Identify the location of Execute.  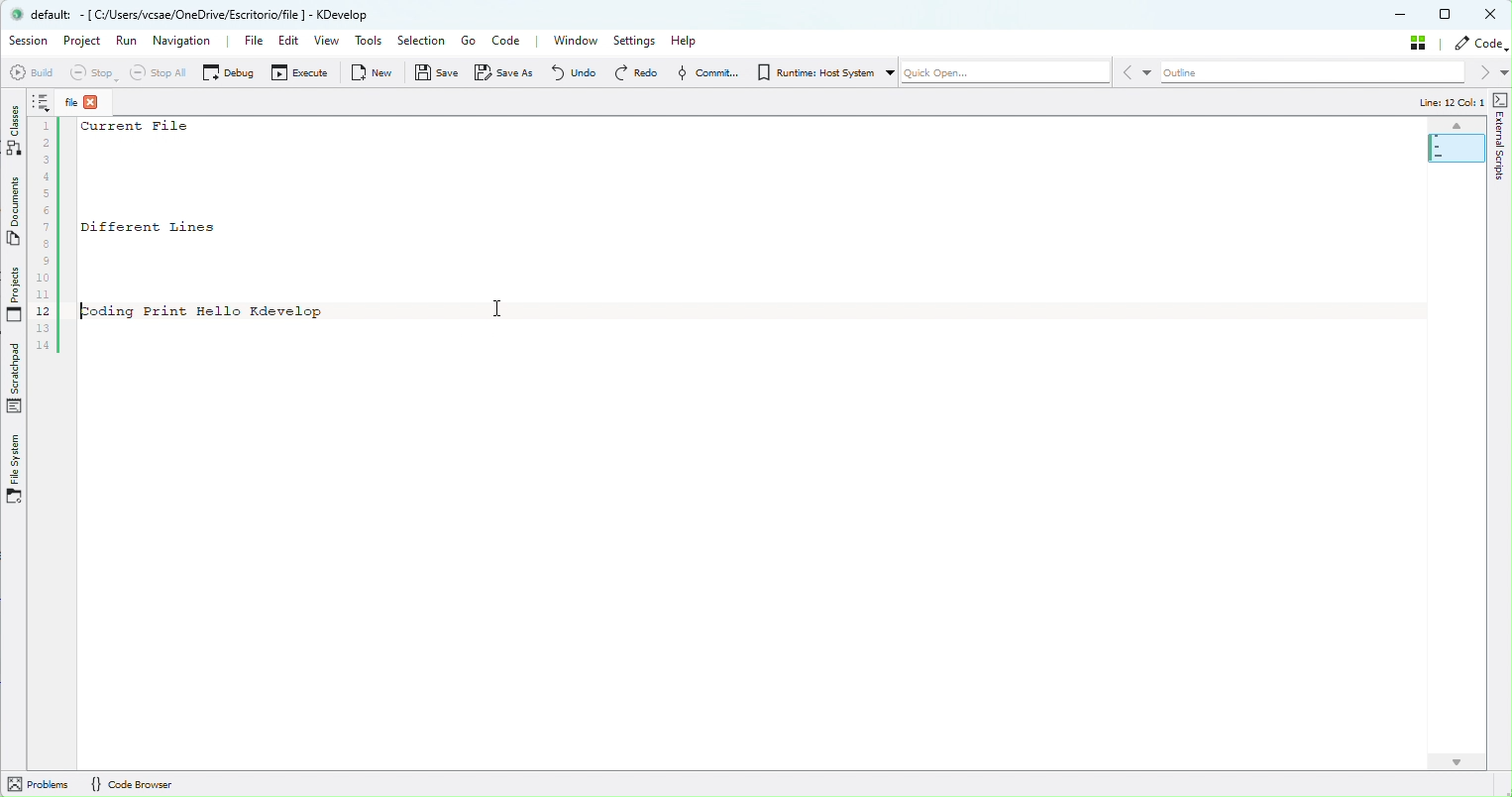
(299, 74).